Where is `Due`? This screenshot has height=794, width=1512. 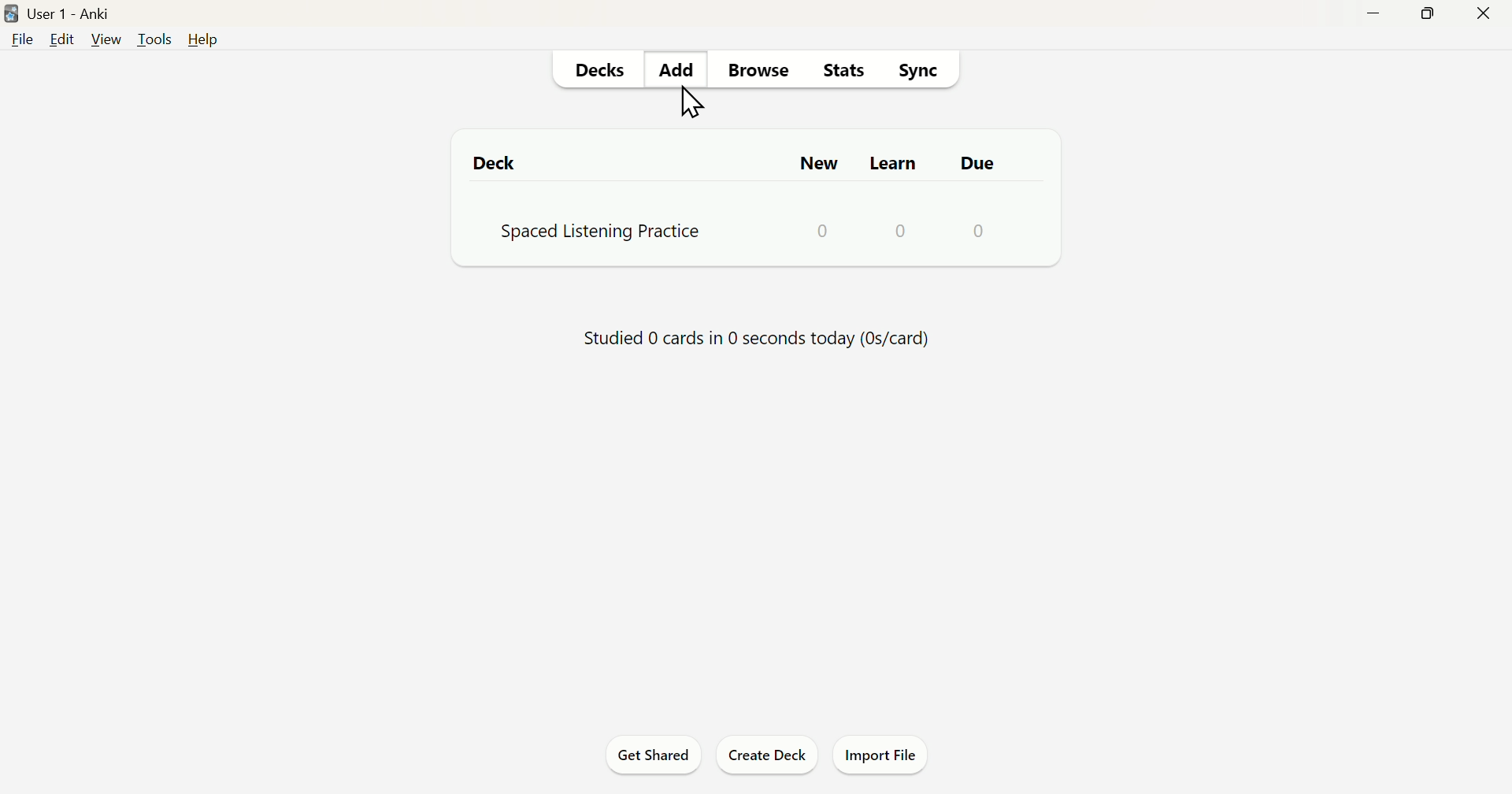 Due is located at coordinates (976, 161).